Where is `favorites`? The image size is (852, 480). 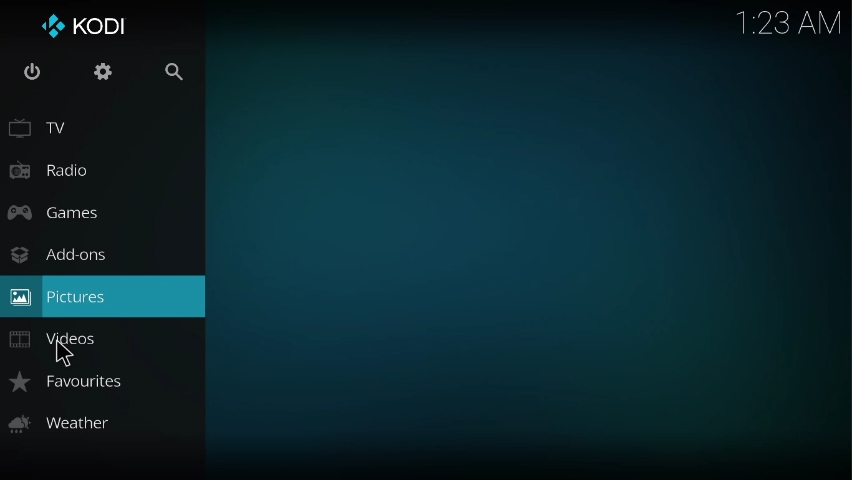
favorites is located at coordinates (65, 382).